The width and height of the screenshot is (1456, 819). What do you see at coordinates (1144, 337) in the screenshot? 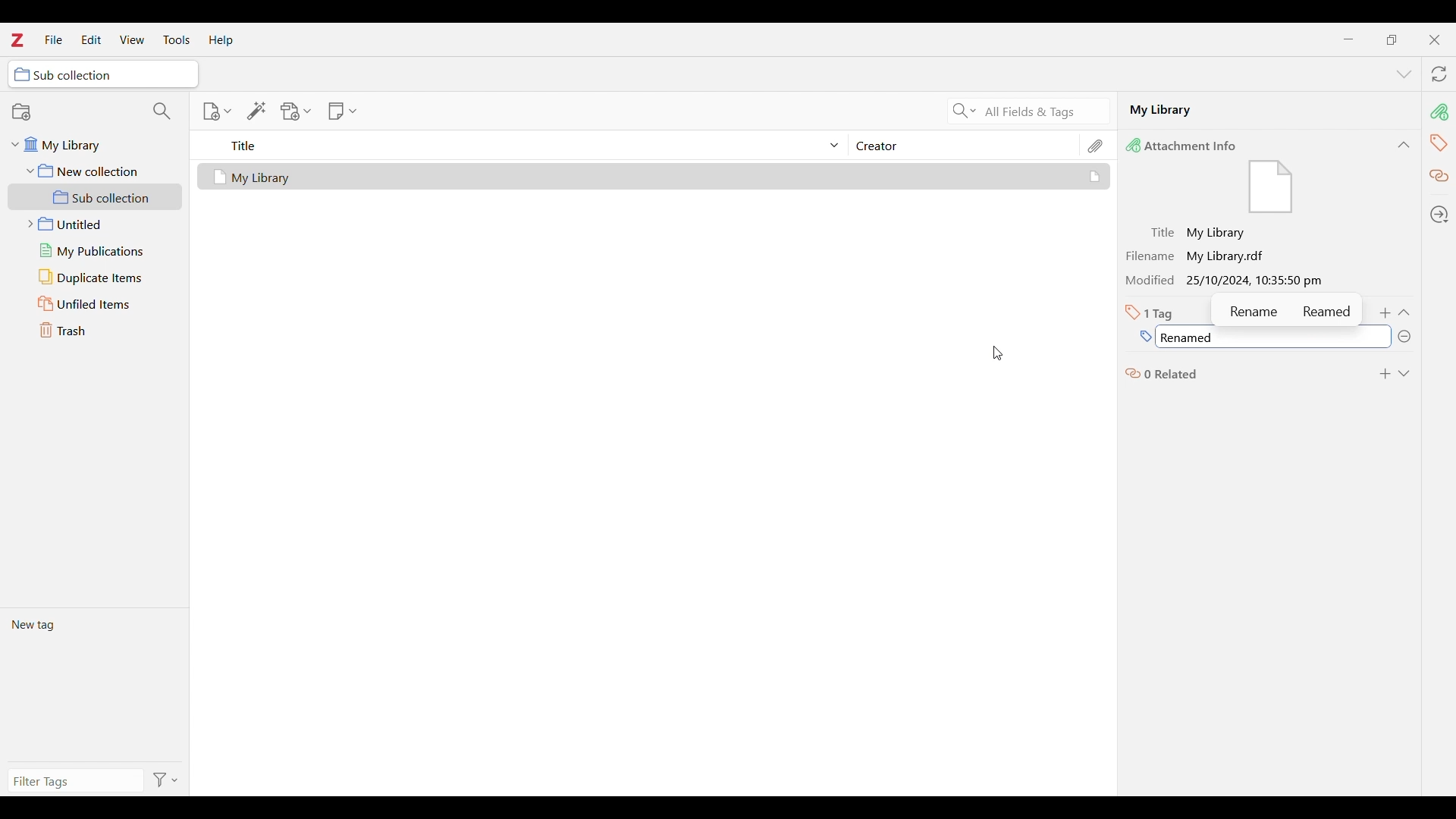
I see `Type in name of new tag` at bounding box center [1144, 337].